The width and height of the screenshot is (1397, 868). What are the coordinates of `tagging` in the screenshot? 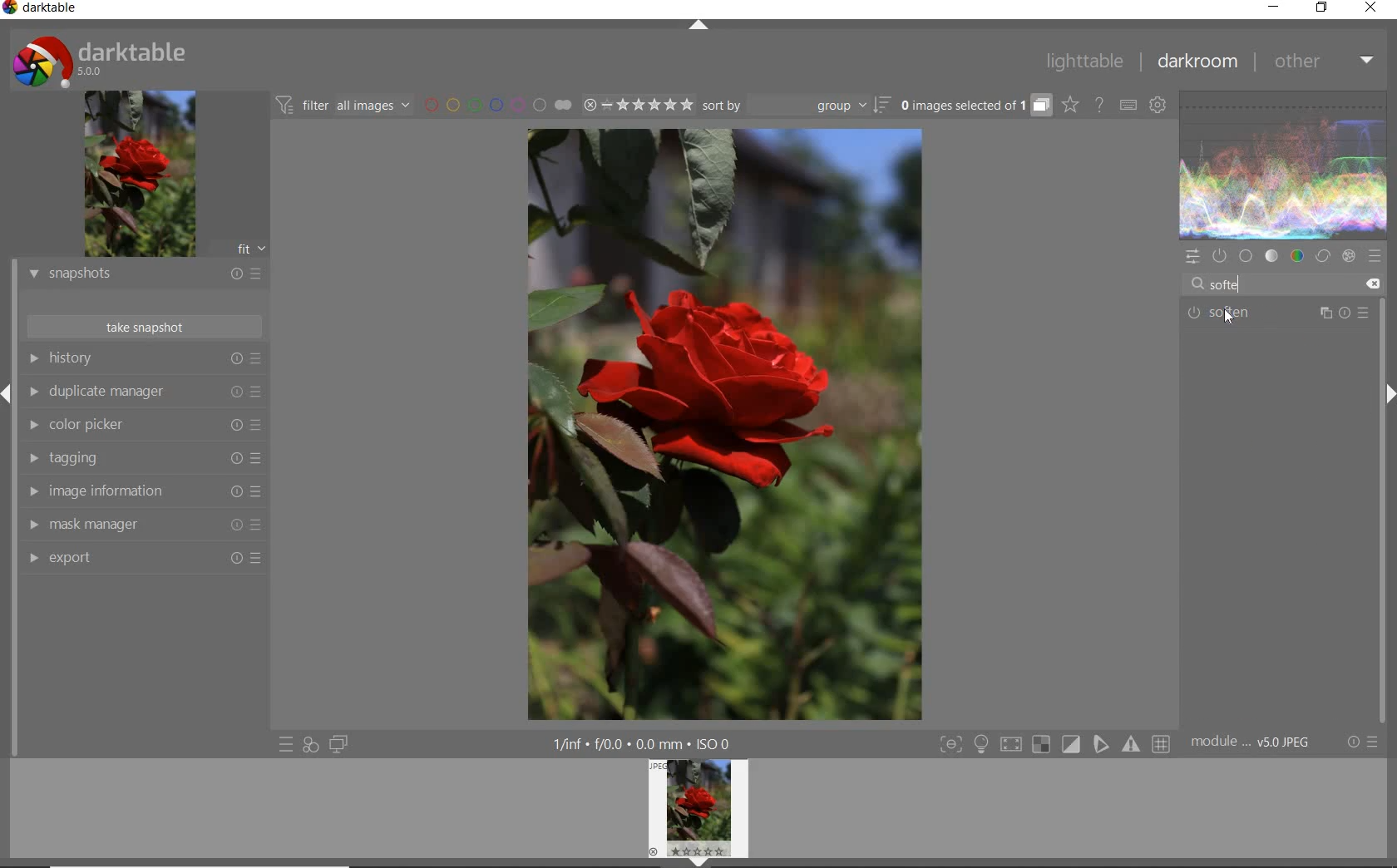 It's located at (143, 457).